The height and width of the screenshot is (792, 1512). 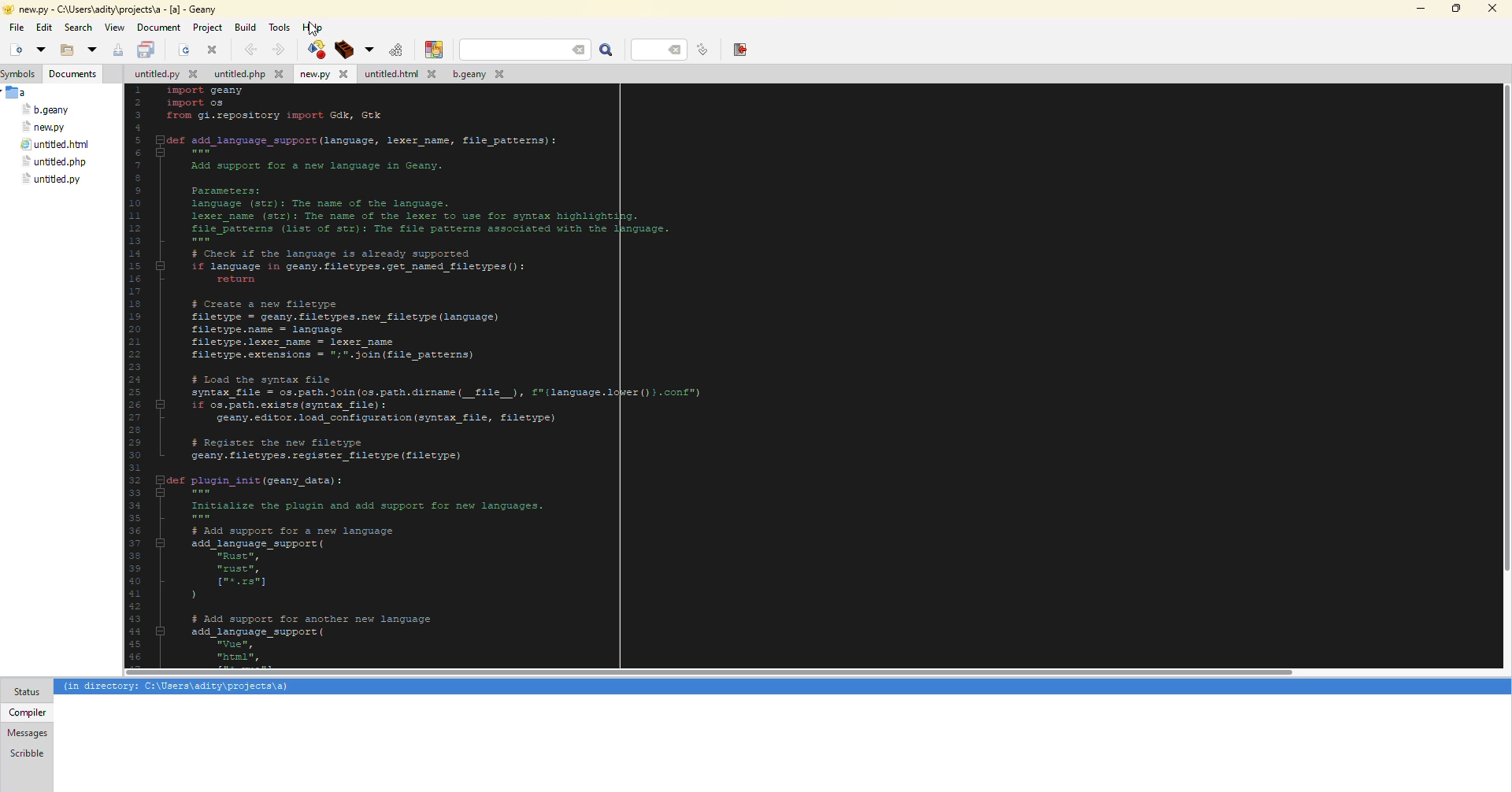 What do you see at coordinates (44, 28) in the screenshot?
I see `edit` at bounding box center [44, 28].